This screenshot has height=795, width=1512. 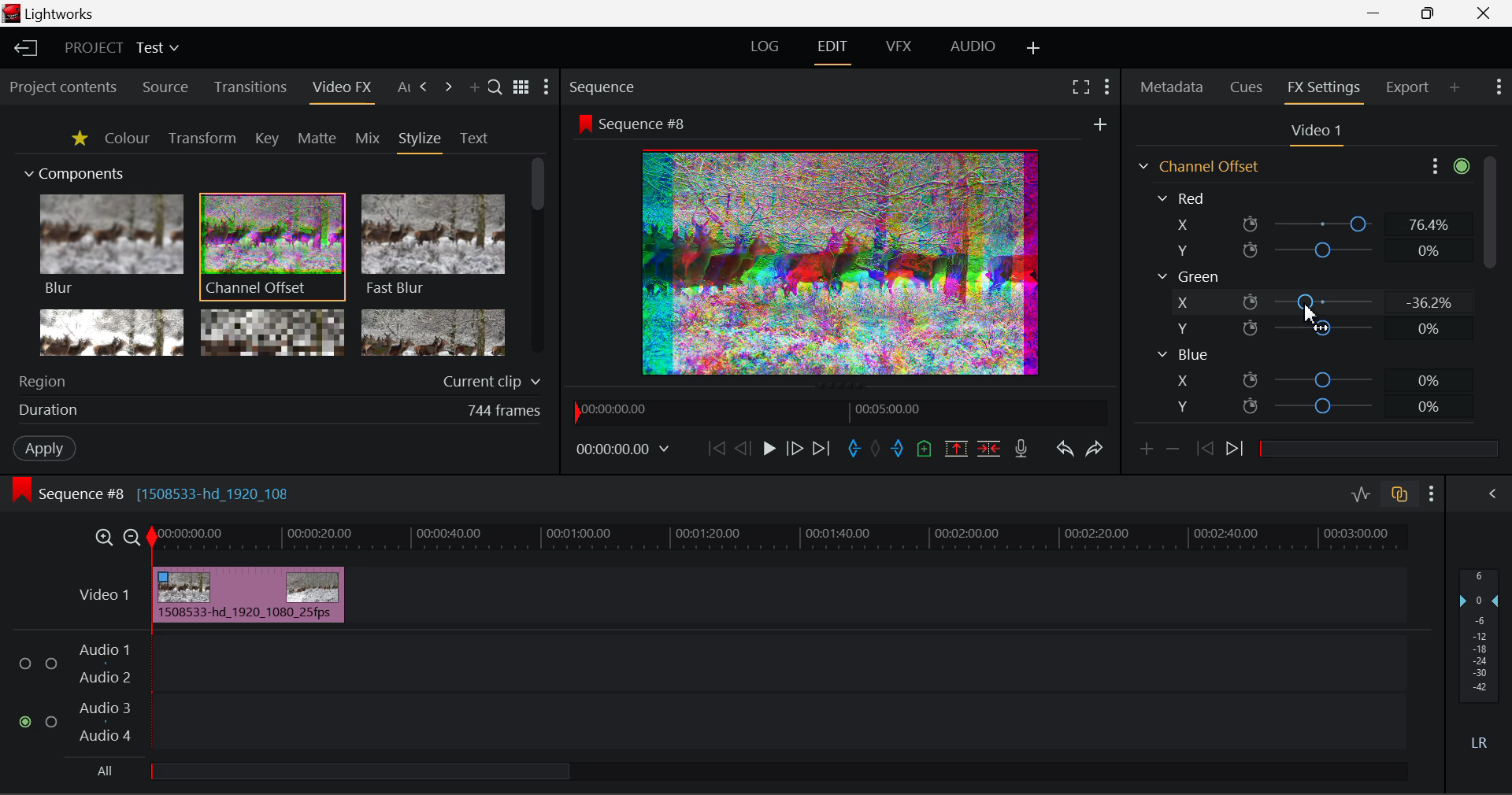 What do you see at coordinates (369, 139) in the screenshot?
I see `Mix` at bounding box center [369, 139].